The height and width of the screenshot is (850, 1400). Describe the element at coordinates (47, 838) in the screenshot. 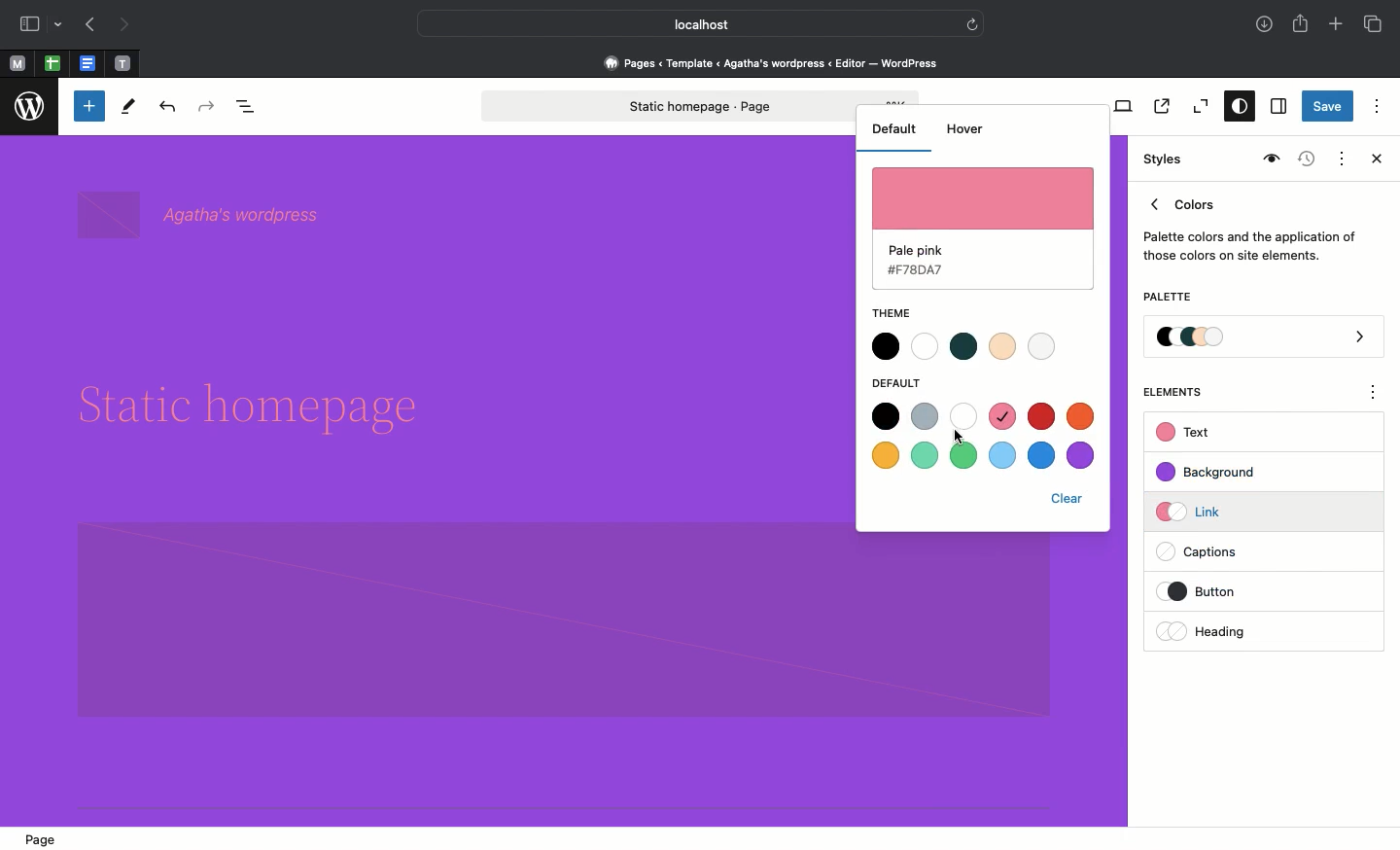

I see `Page` at that location.